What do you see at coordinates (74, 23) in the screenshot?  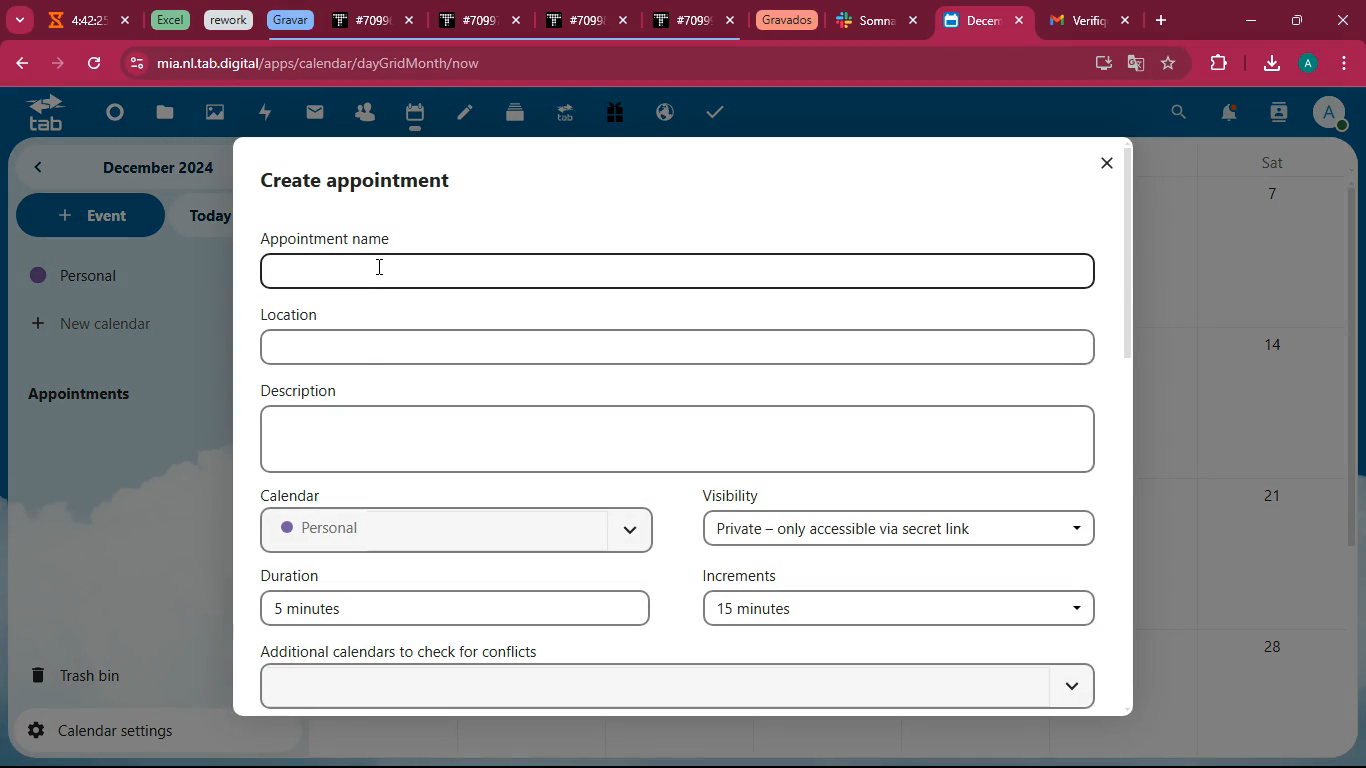 I see `tab` at bounding box center [74, 23].